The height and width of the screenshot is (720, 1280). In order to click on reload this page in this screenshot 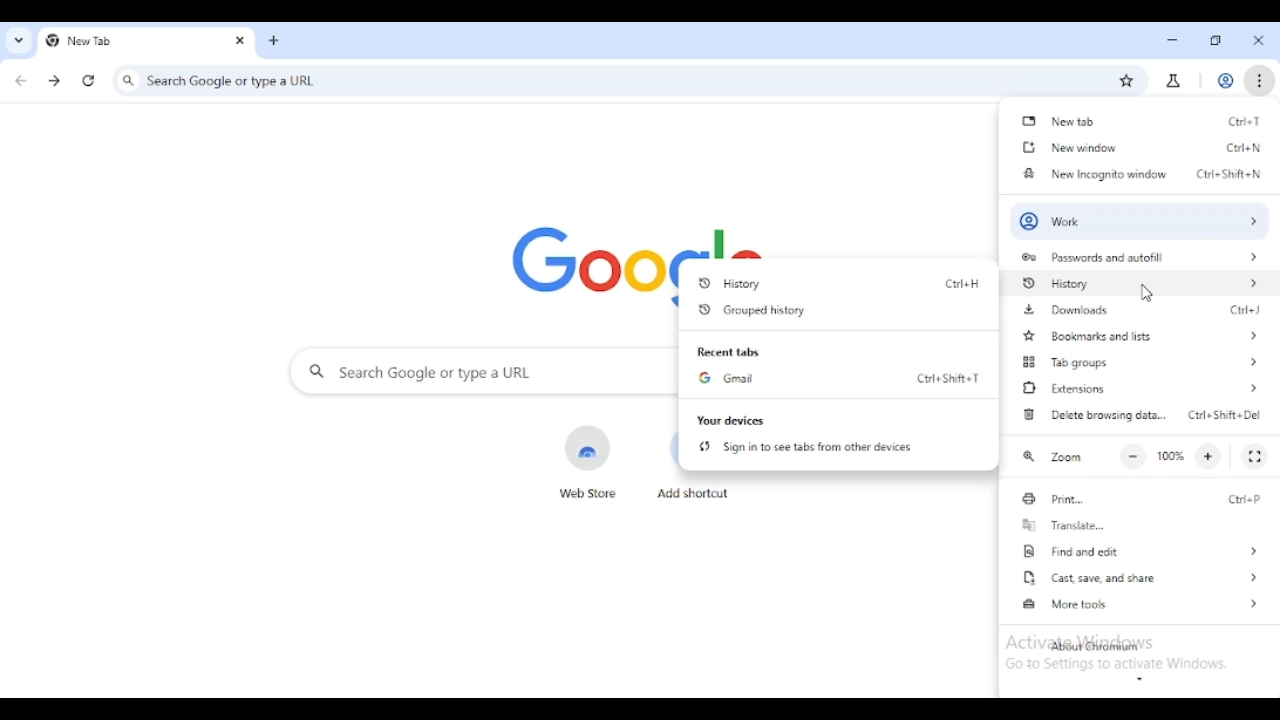, I will do `click(89, 81)`.